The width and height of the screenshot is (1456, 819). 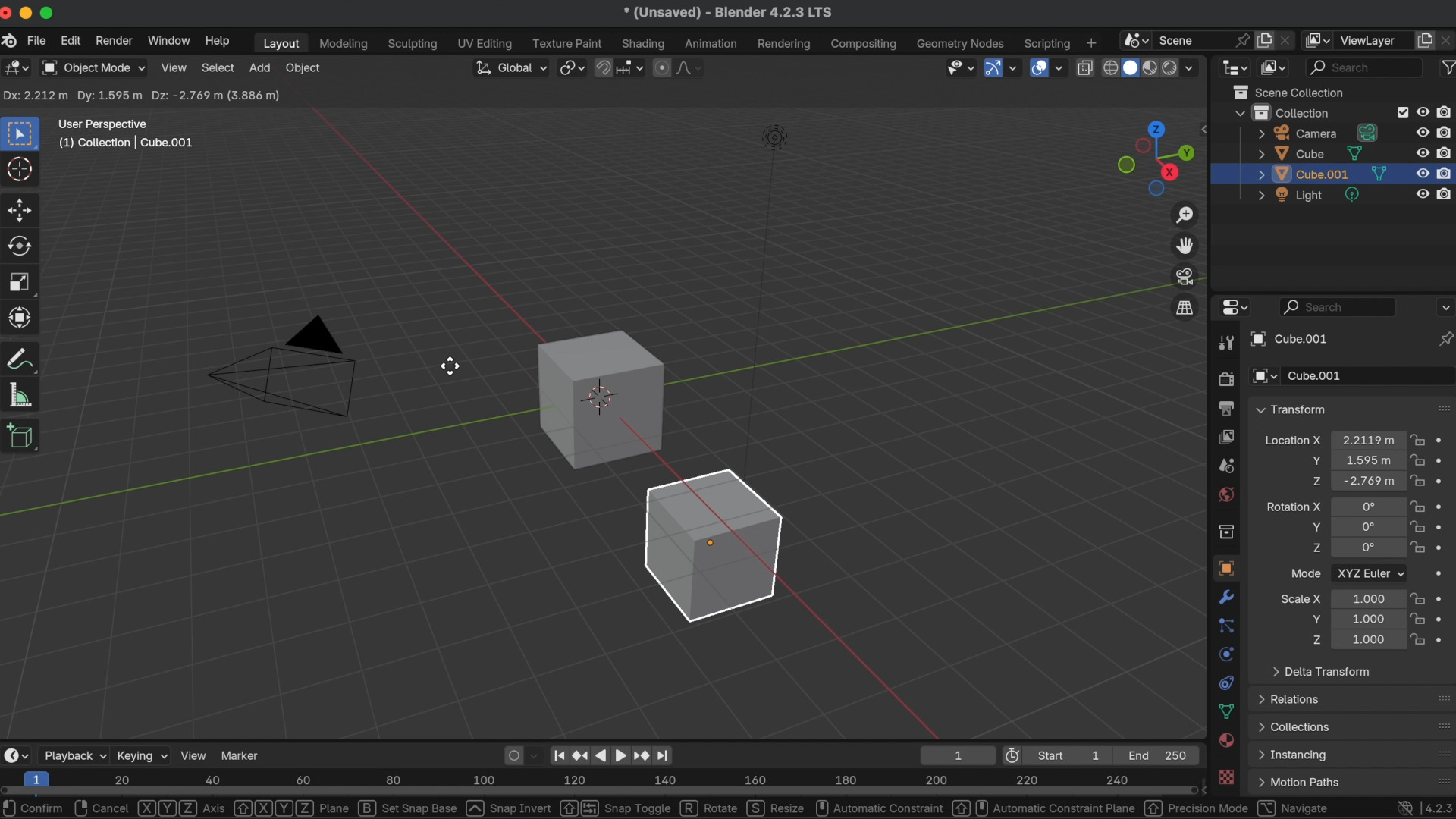 I want to click on scene collection, so click(x=1293, y=92).